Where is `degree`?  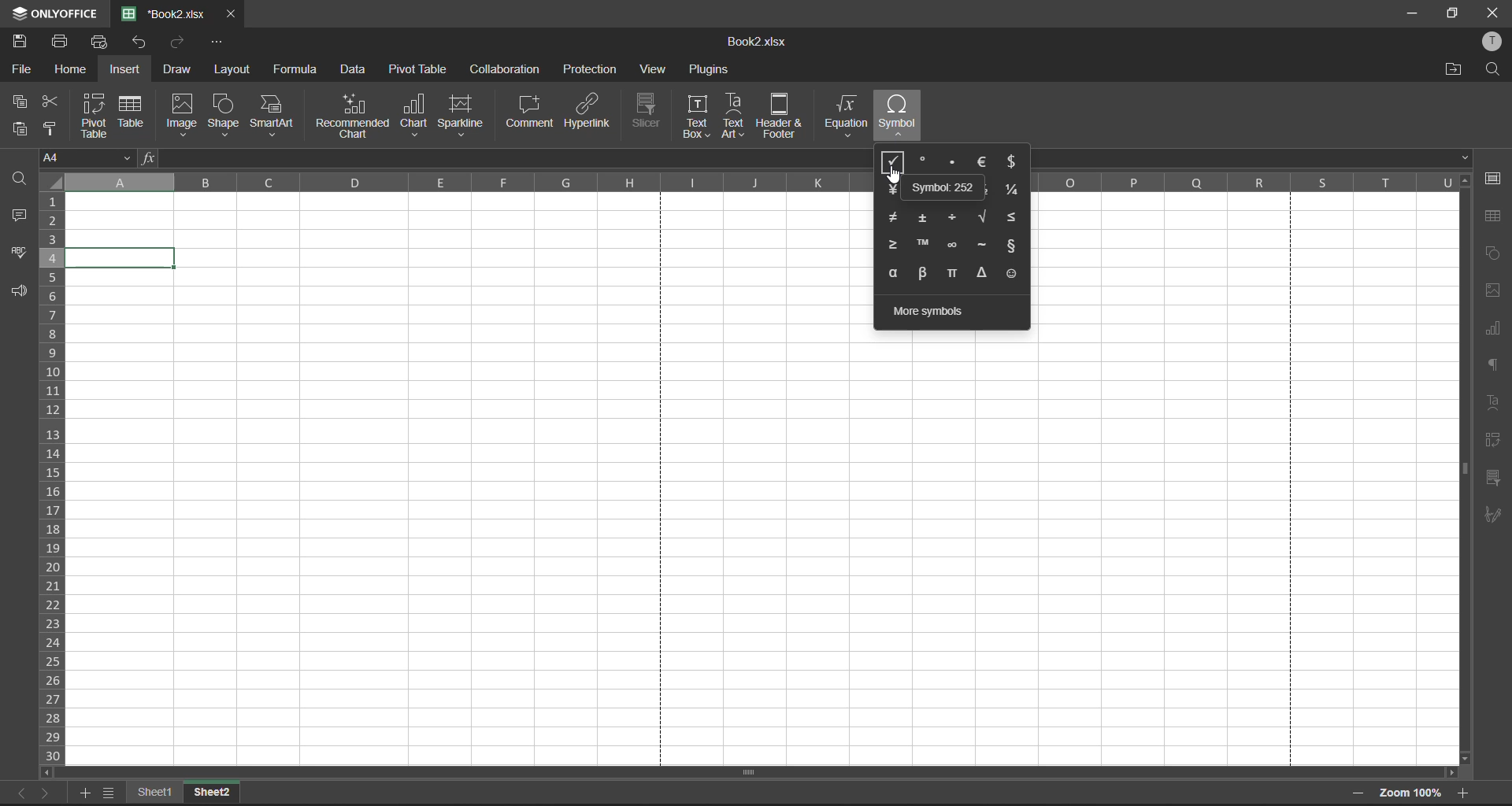 degree is located at coordinates (925, 161).